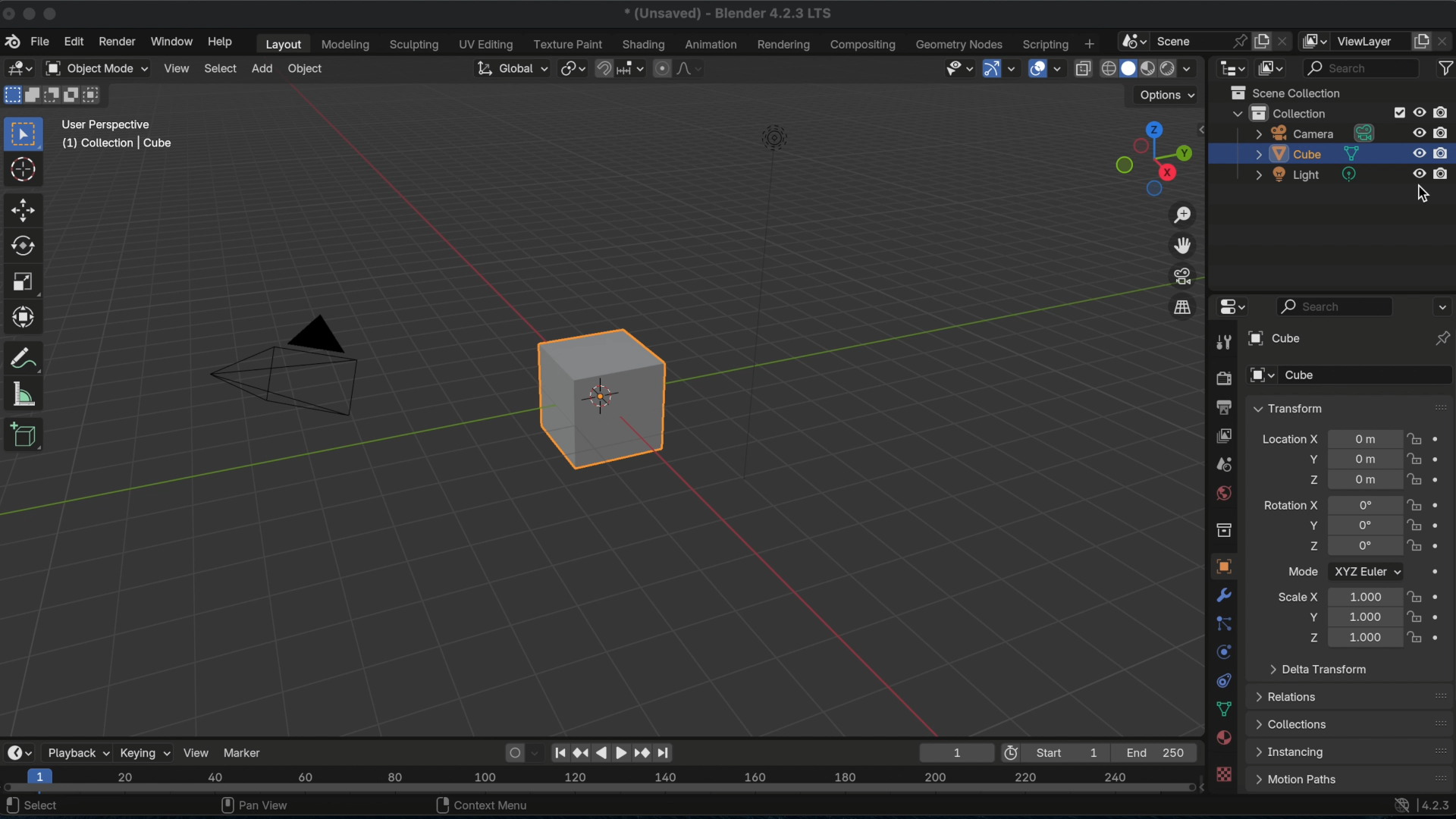 Image resolution: width=1456 pixels, height=819 pixels. I want to click on delete scene, so click(1289, 39).